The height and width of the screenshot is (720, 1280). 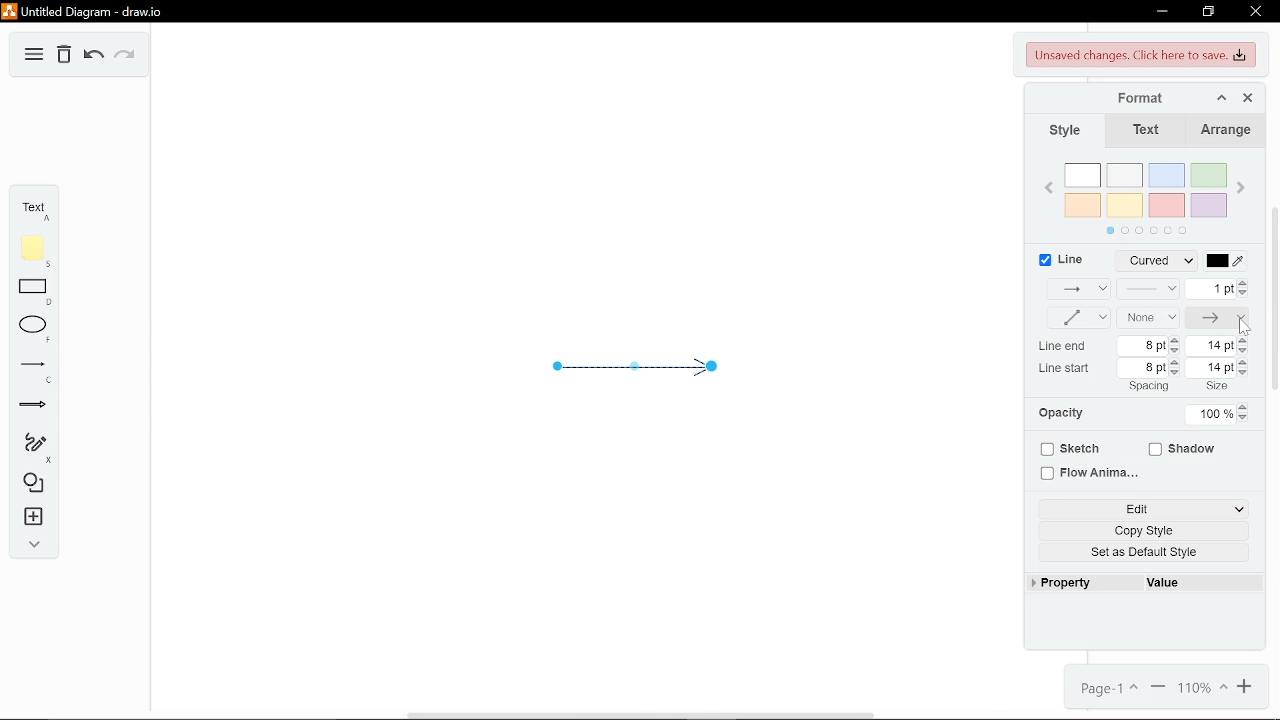 What do you see at coordinates (1070, 584) in the screenshot?
I see `Property` at bounding box center [1070, 584].